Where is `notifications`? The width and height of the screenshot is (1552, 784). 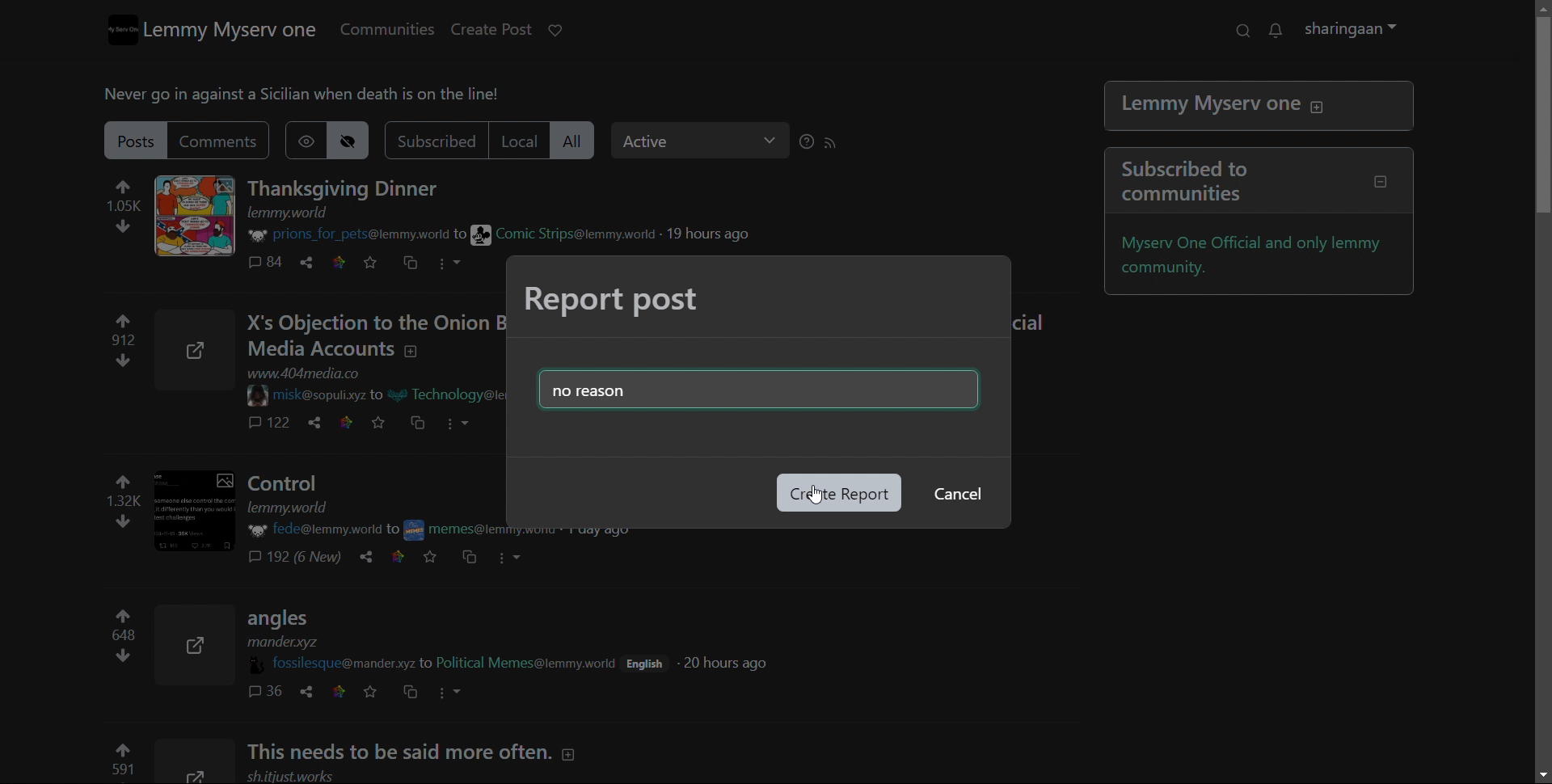 notifications is located at coordinates (1284, 31).